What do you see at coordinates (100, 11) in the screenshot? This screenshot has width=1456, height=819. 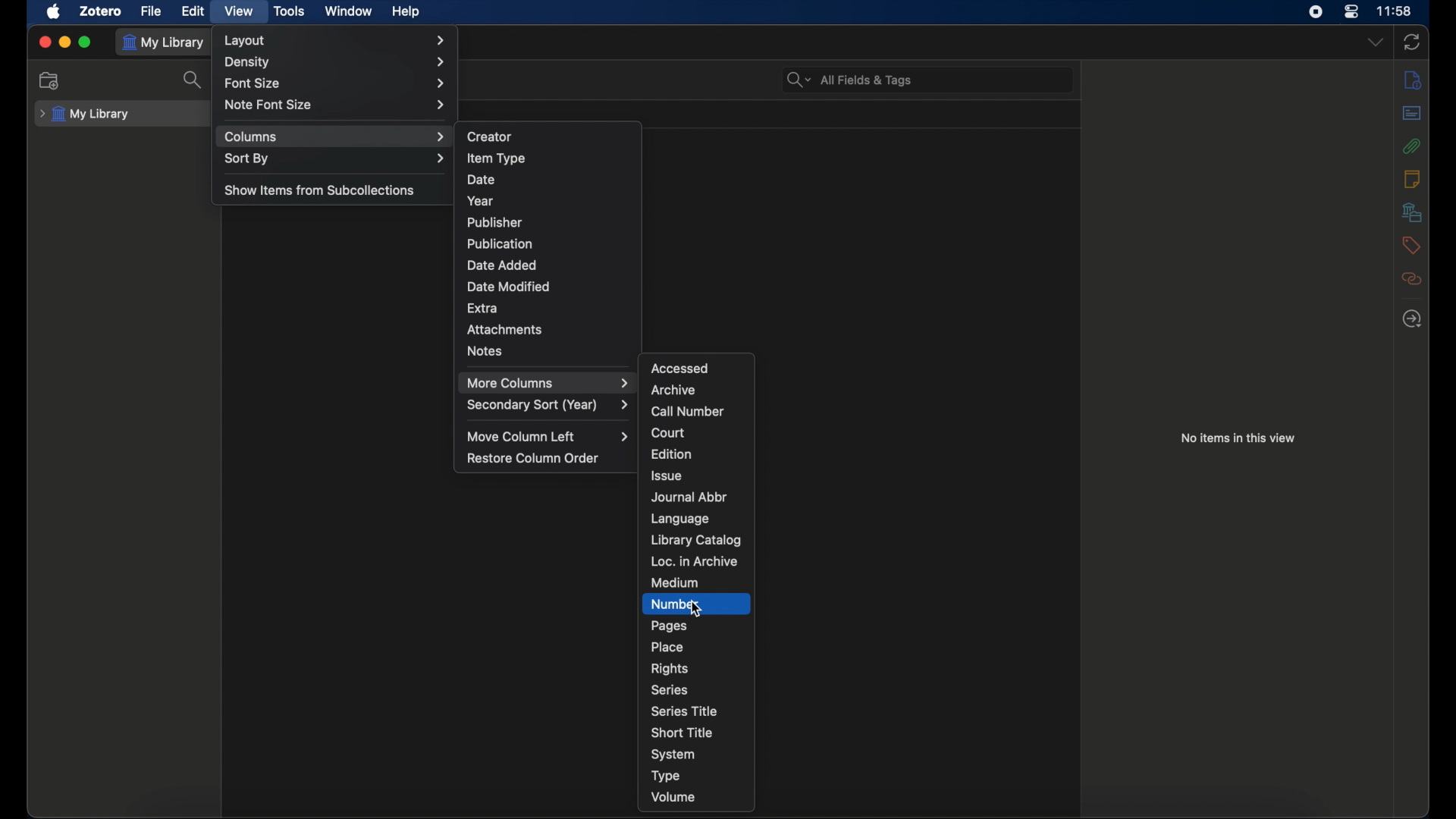 I see `zotero` at bounding box center [100, 11].